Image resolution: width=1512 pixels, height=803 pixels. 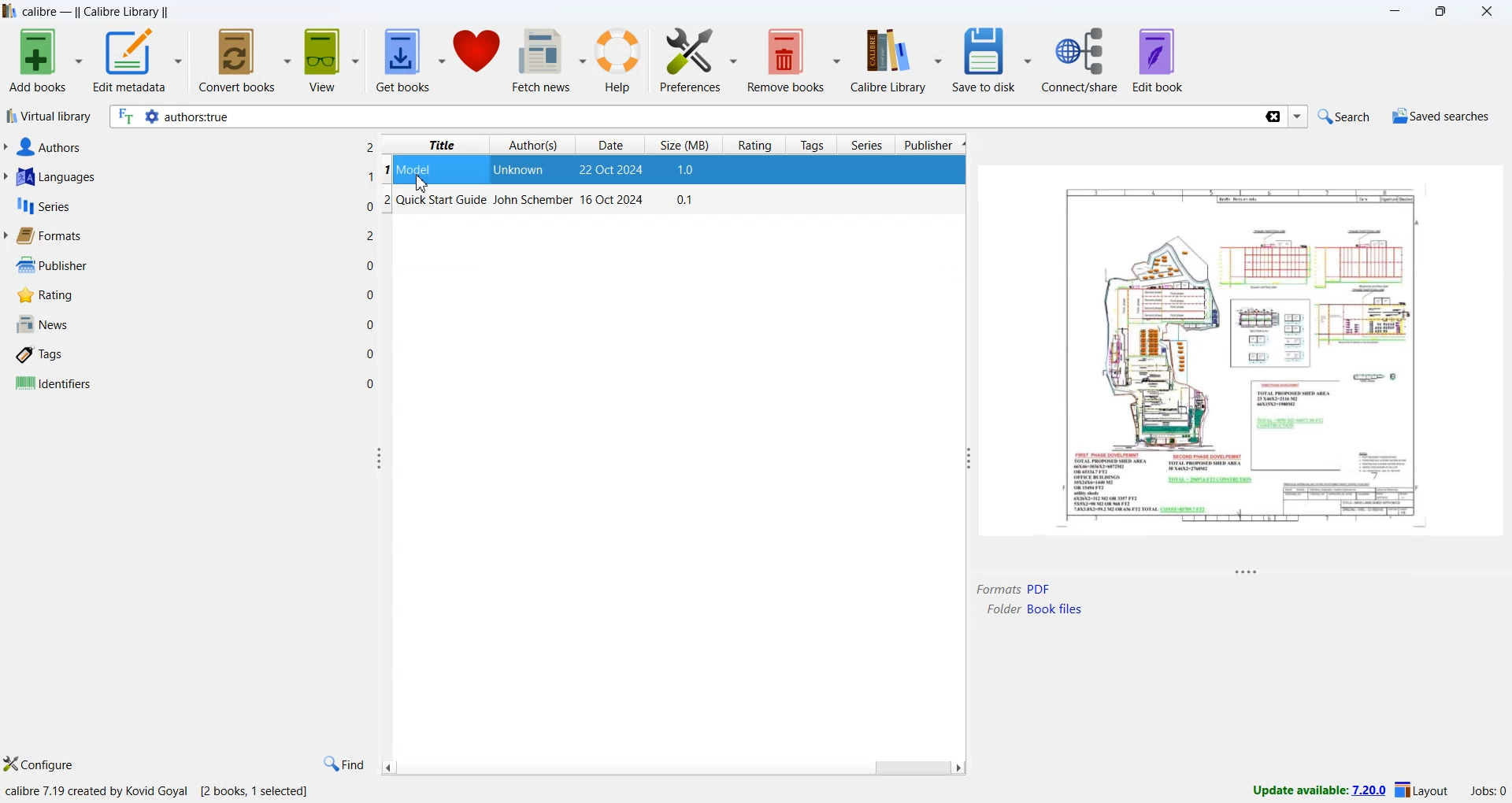 I want to click on 0, so click(x=372, y=293).